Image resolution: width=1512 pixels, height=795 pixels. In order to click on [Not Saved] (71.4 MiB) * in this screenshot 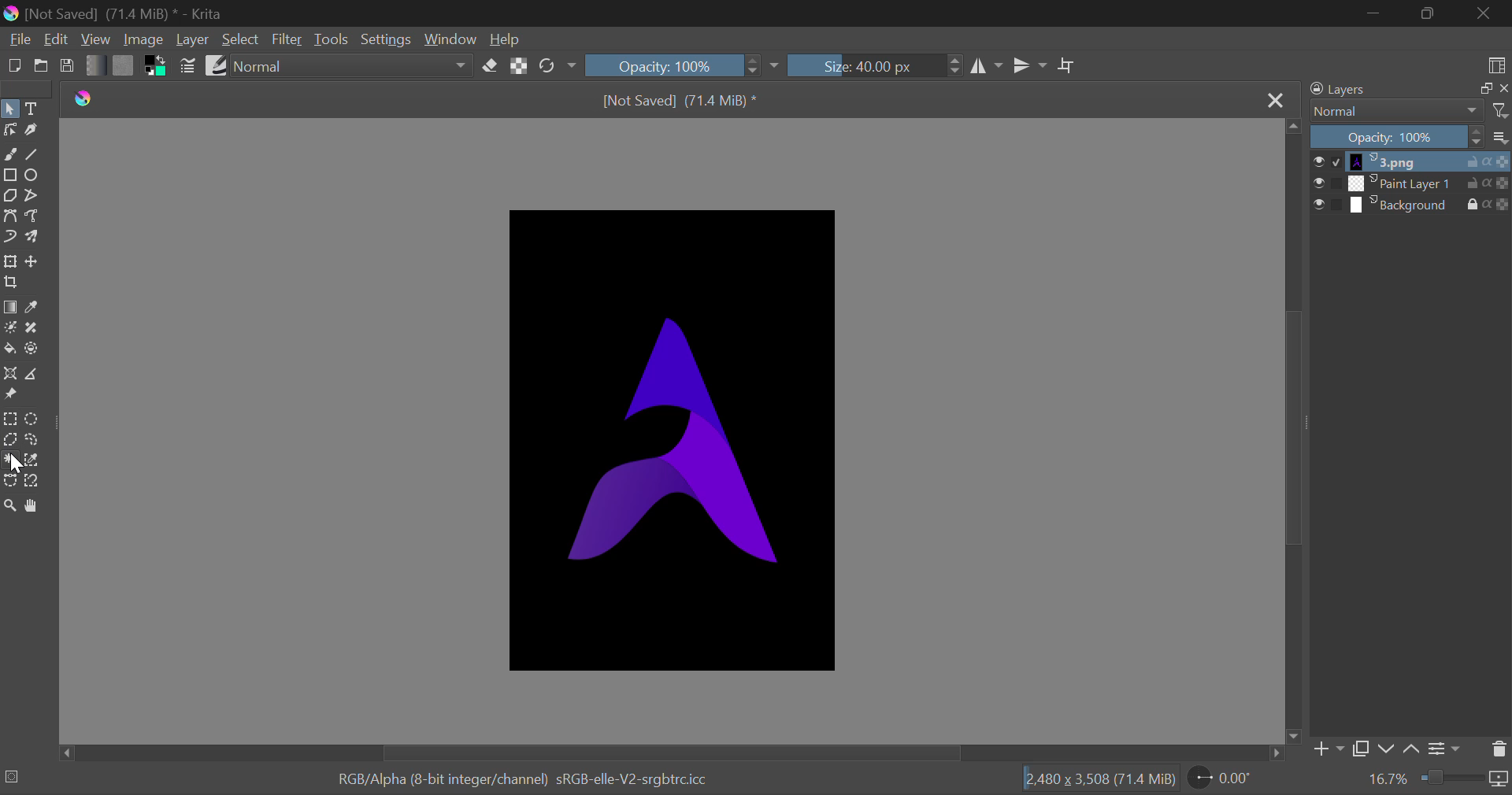, I will do `click(683, 102)`.